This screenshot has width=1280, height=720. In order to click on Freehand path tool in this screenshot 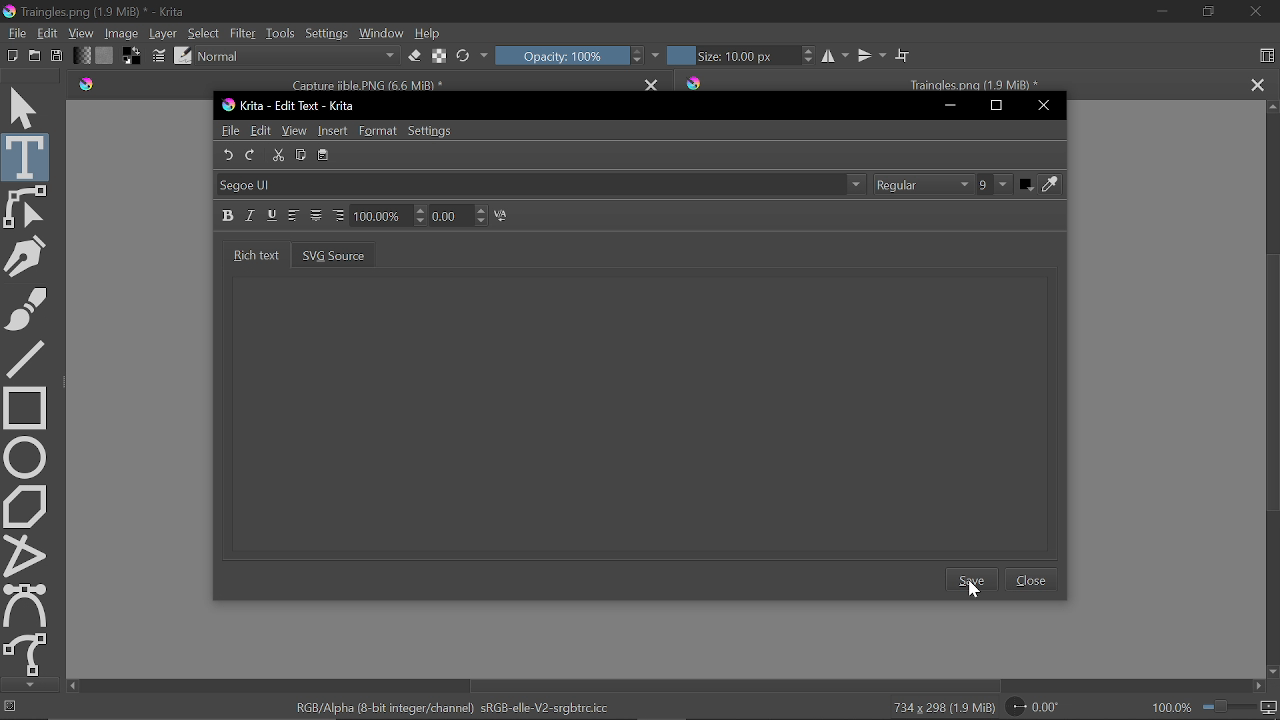, I will do `click(28, 653)`.